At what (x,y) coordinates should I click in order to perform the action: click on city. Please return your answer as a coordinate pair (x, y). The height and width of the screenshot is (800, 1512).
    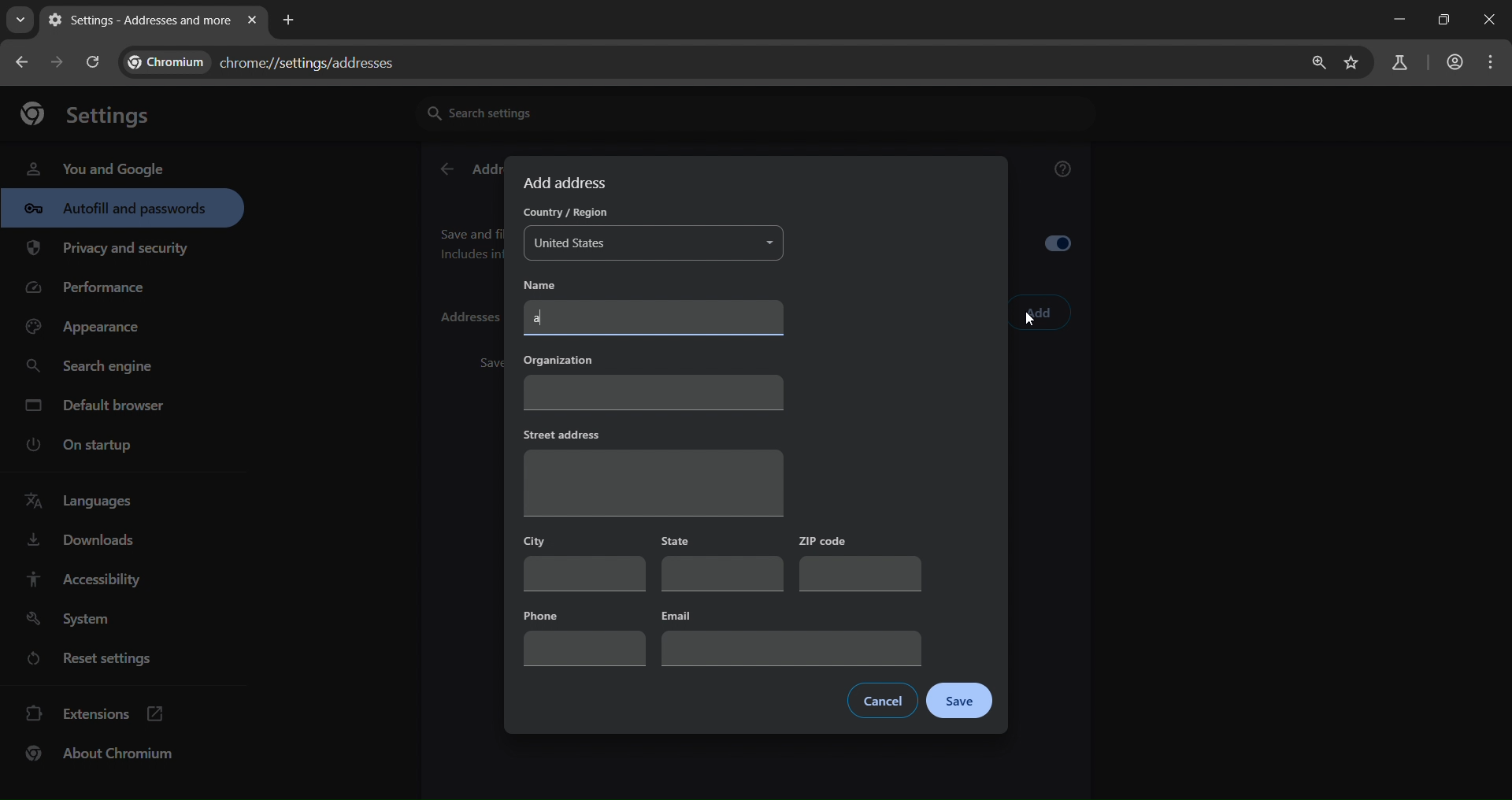
    Looking at the image, I should click on (583, 560).